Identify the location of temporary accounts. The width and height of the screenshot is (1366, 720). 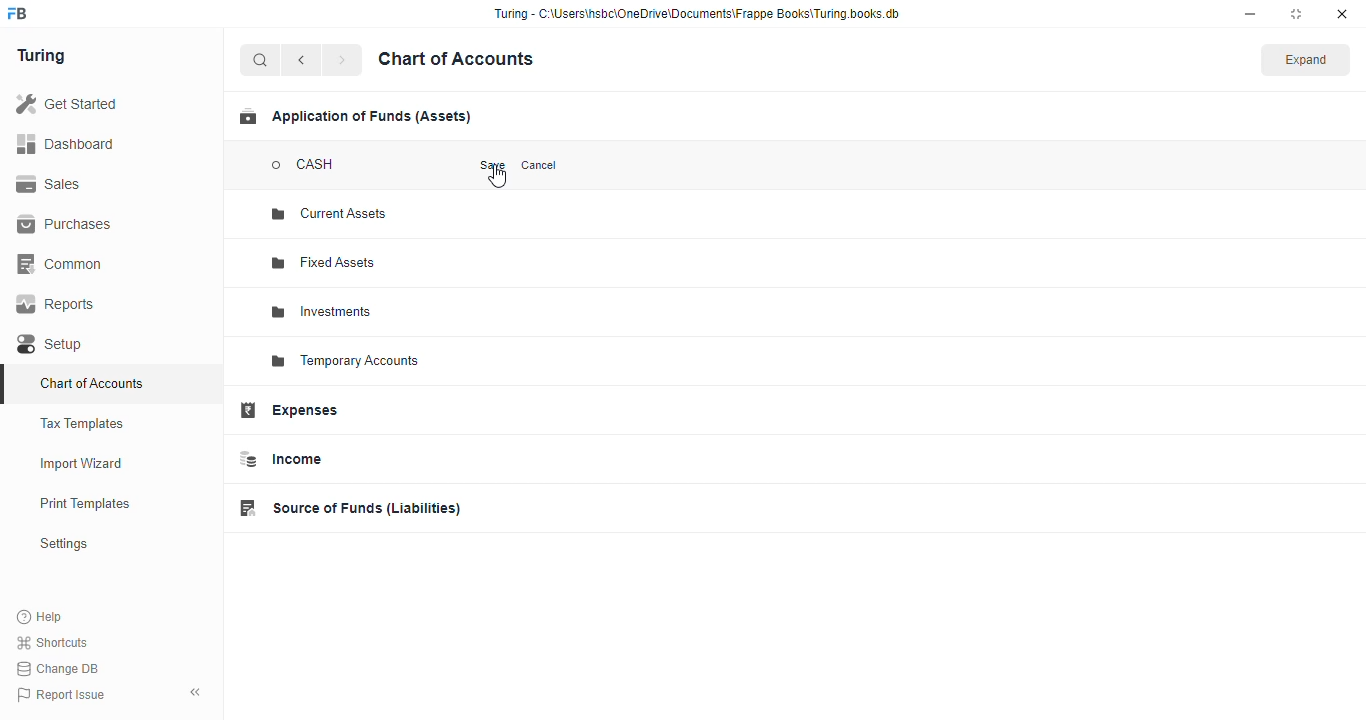
(345, 361).